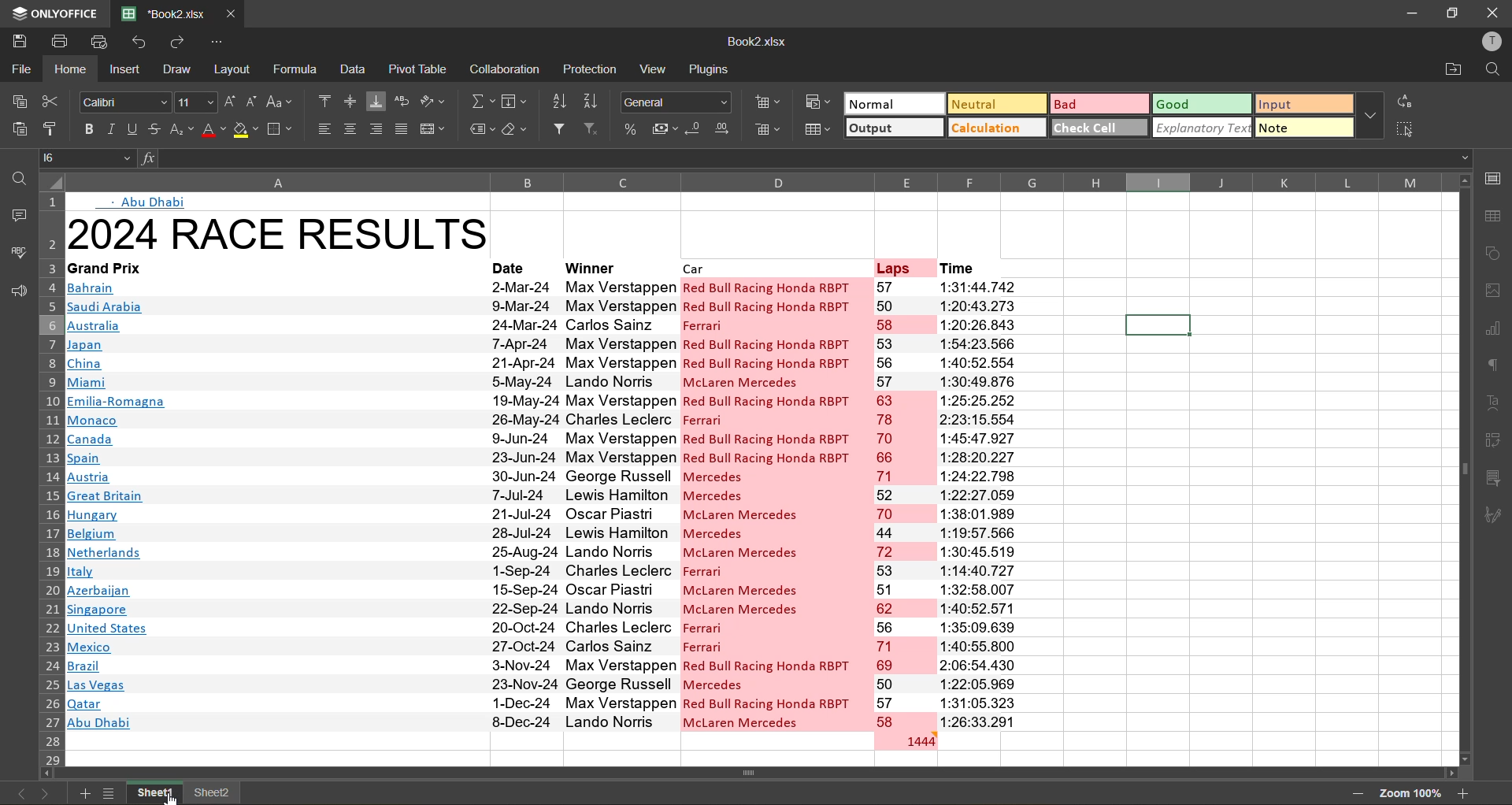 The width and height of the screenshot is (1512, 805). Describe the element at coordinates (354, 72) in the screenshot. I see `data` at that location.